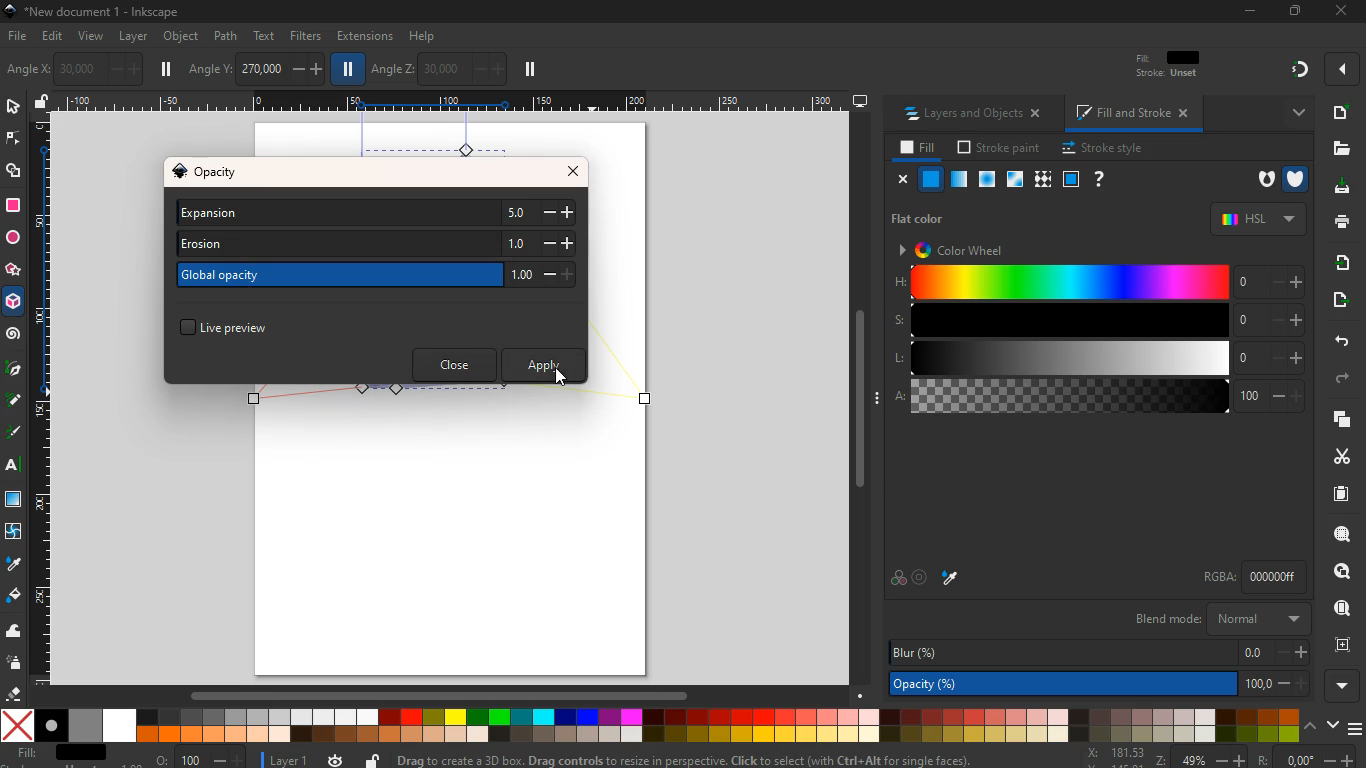  I want to click on o, so click(196, 758).